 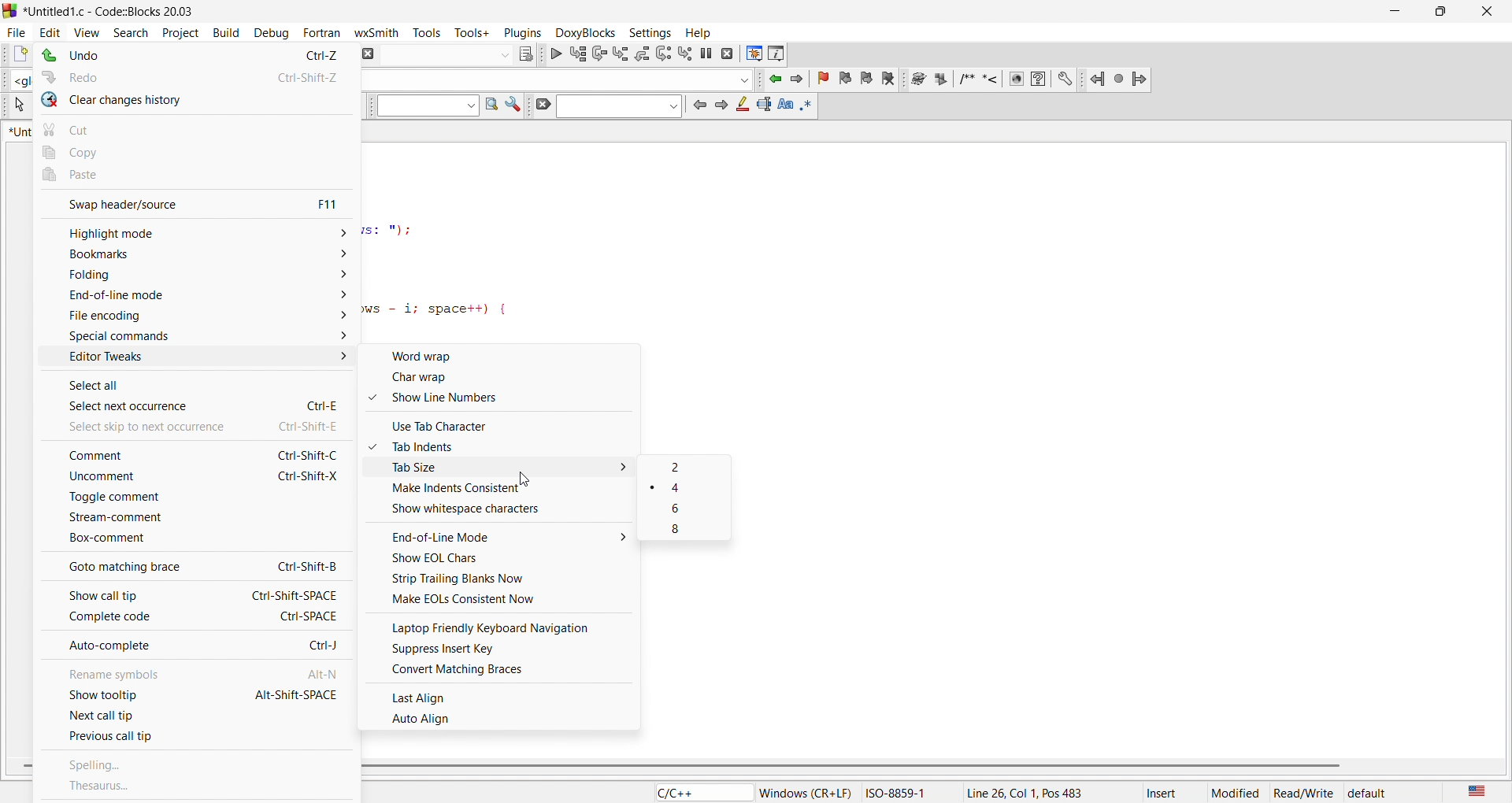 I want to click on info, so click(x=774, y=54).